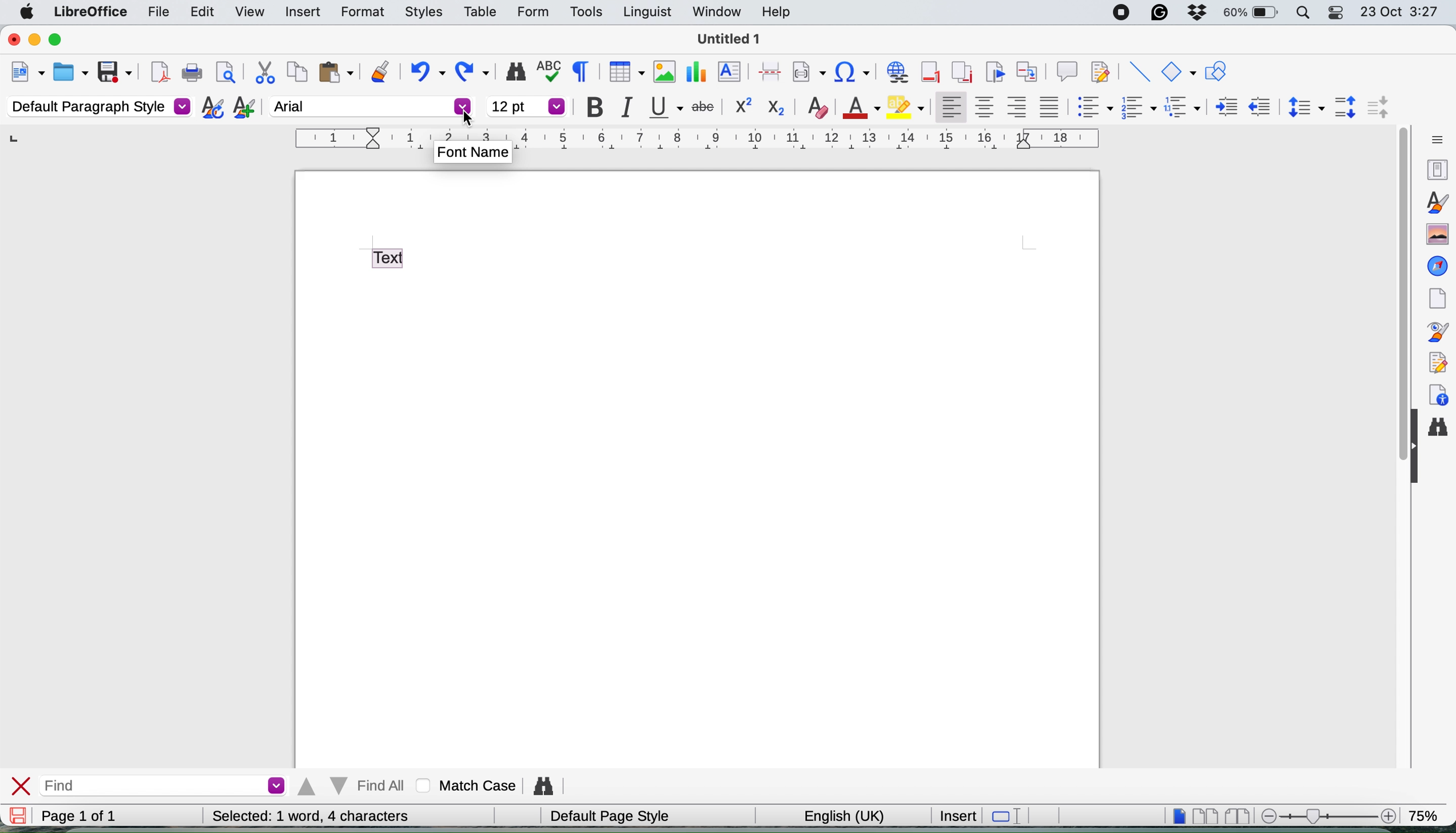 This screenshot has height=833, width=1456. What do you see at coordinates (818, 108) in the screenshot?
I see `clear direct formatting` at bounding box center [818, 108].